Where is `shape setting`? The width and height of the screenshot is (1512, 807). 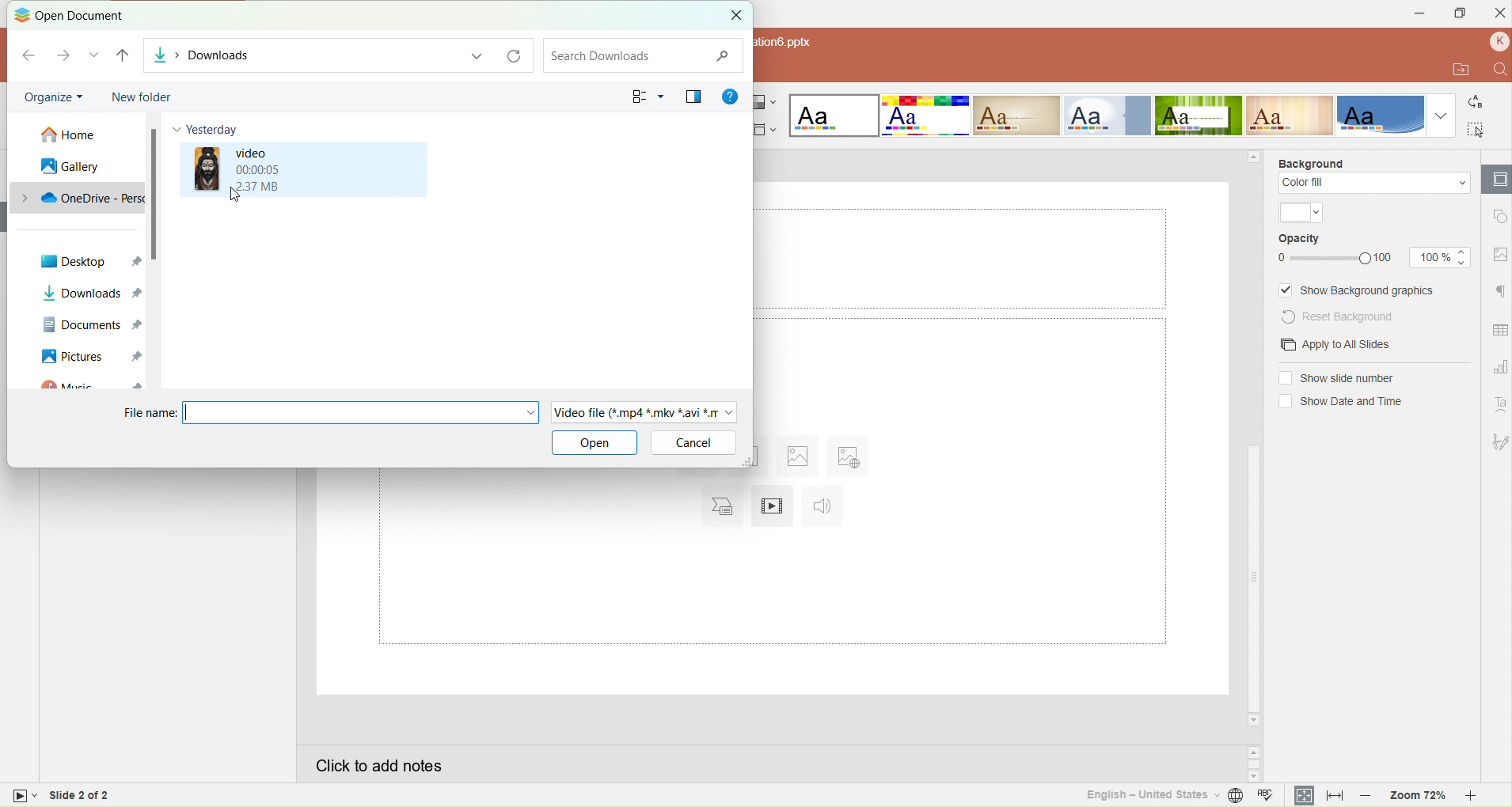
shape setting is located at coordinates (1499, 213).